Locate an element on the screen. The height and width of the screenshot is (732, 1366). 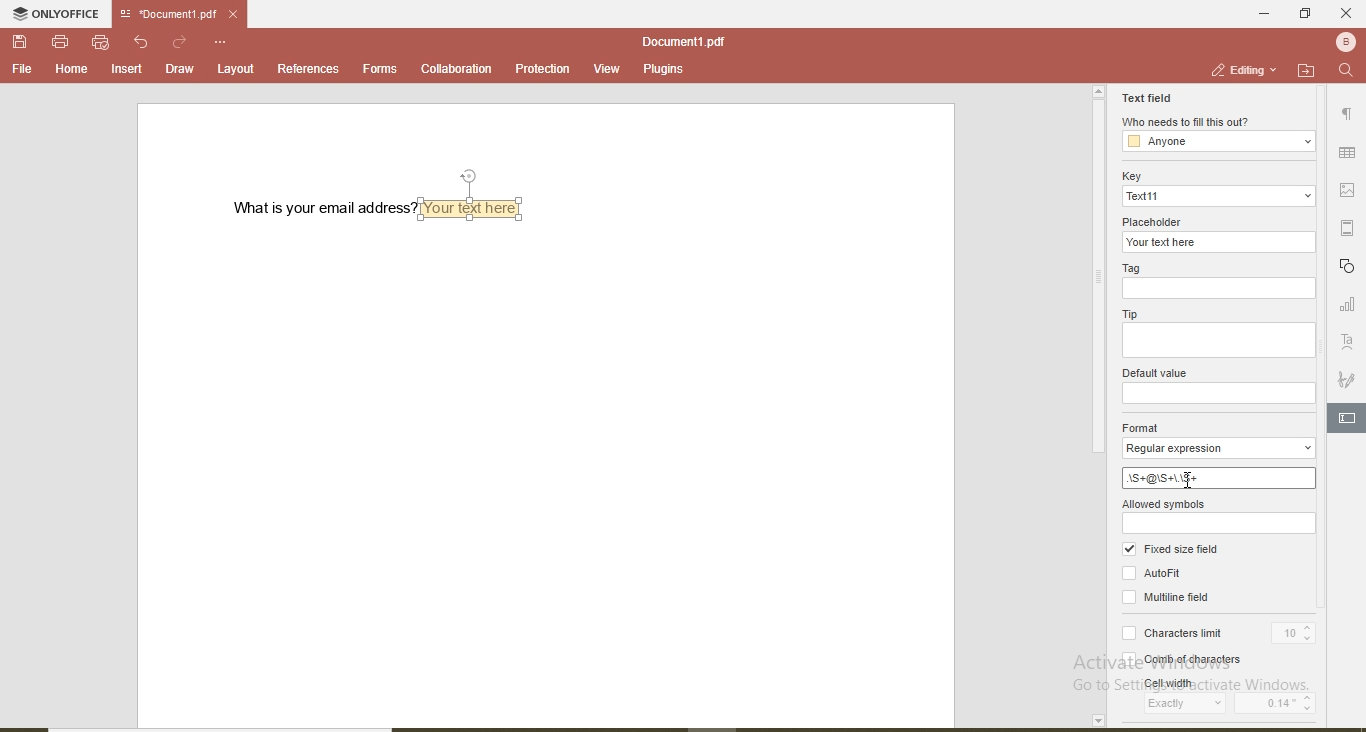
close file is located at coordinates (240, 14).